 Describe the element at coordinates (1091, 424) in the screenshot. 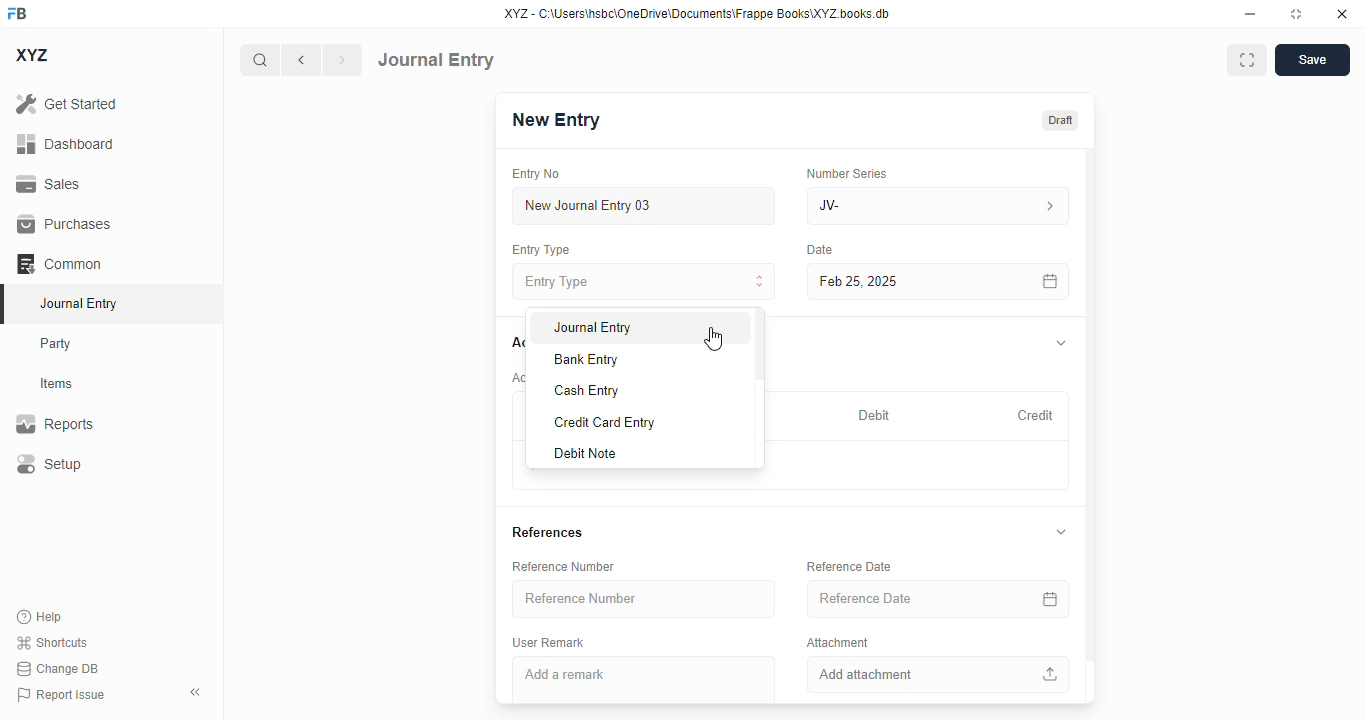

I see `scroll bar` at that location.